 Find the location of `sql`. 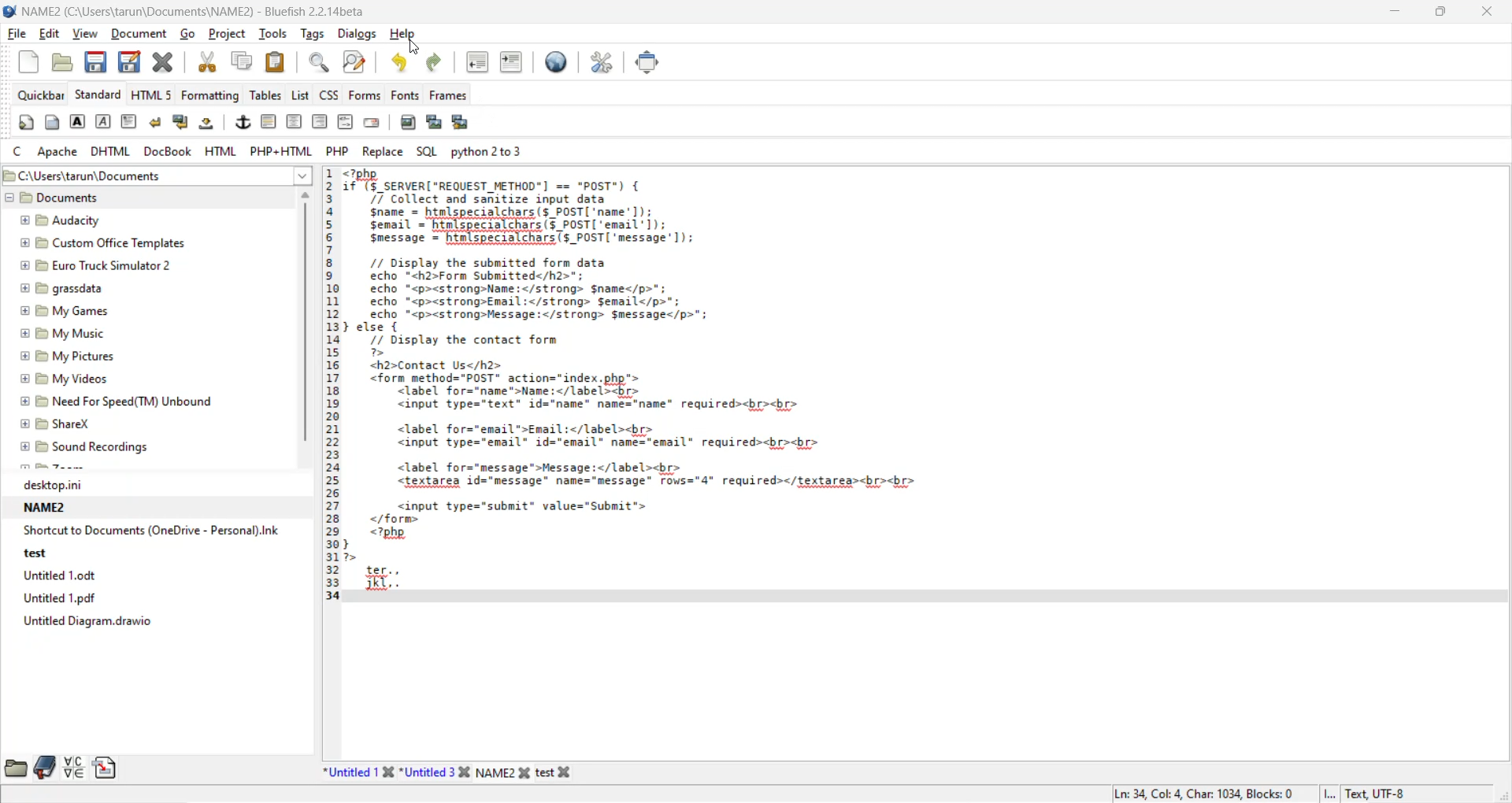

sql is located at coordinates (424, 151).